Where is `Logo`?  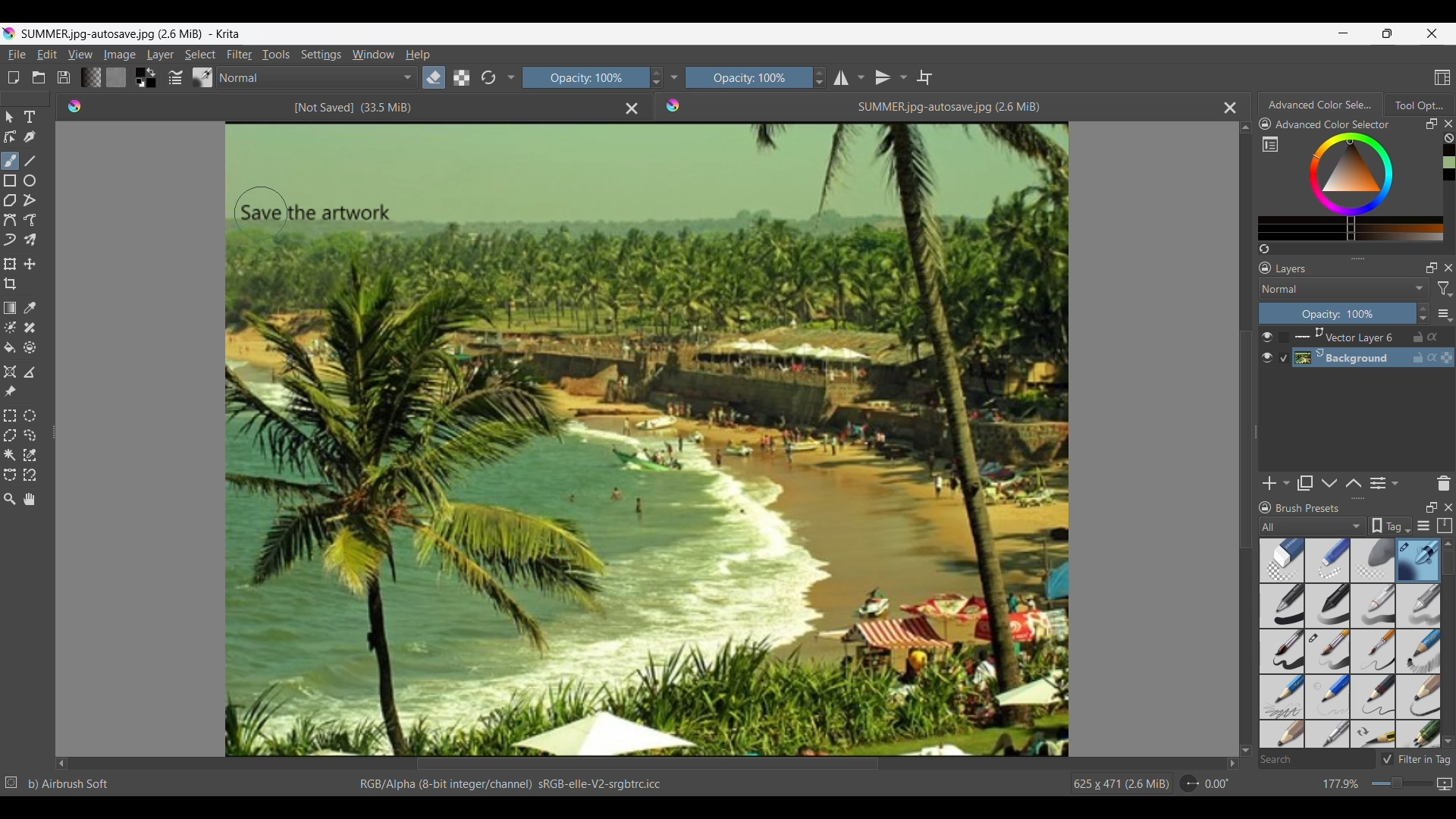 Logo is located at coordinates (674, 105).